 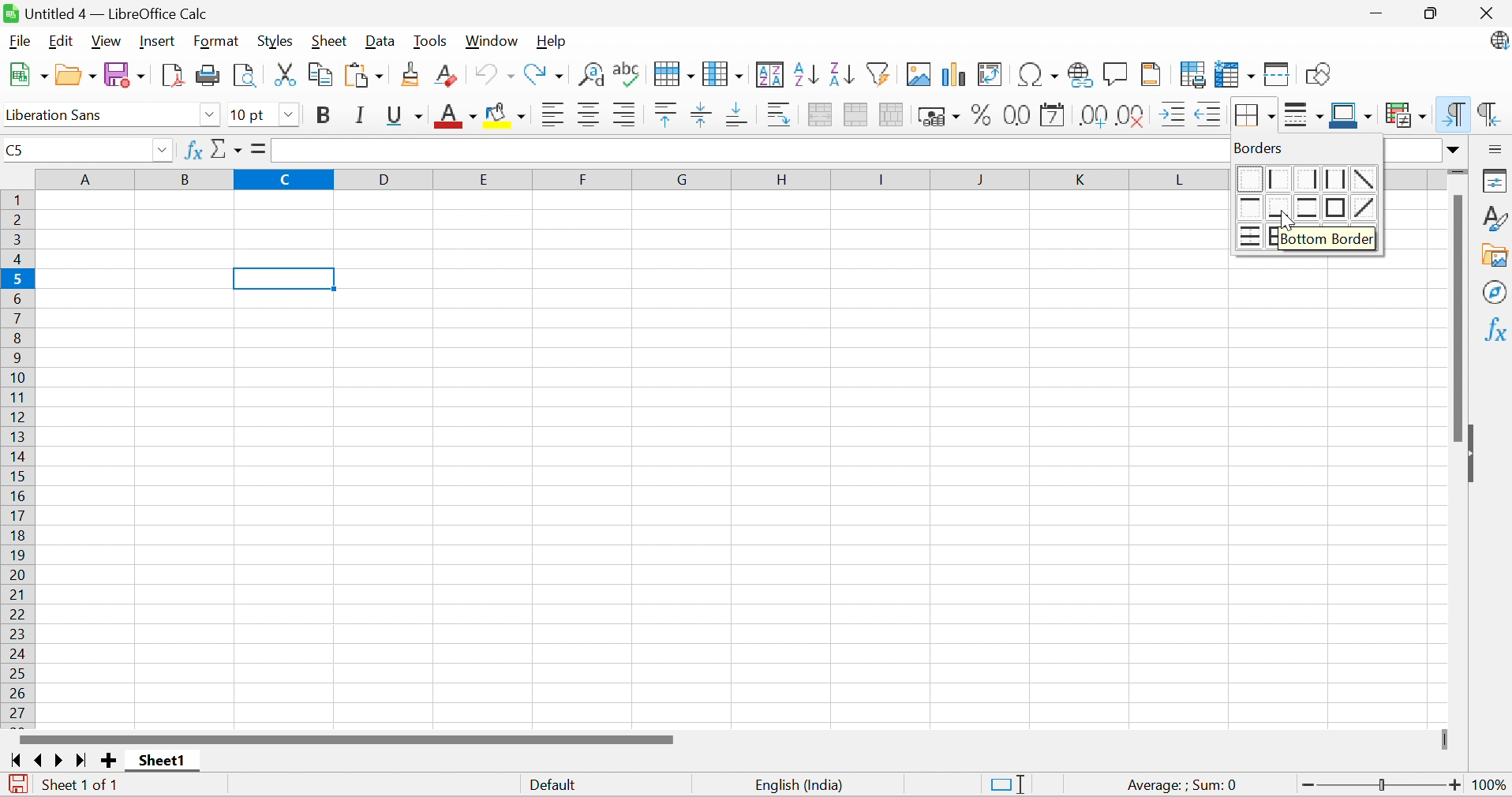 What do you see at coordinates (555, 117) in the screenshot?
I see `Align left` at bounding box center [555, 117].